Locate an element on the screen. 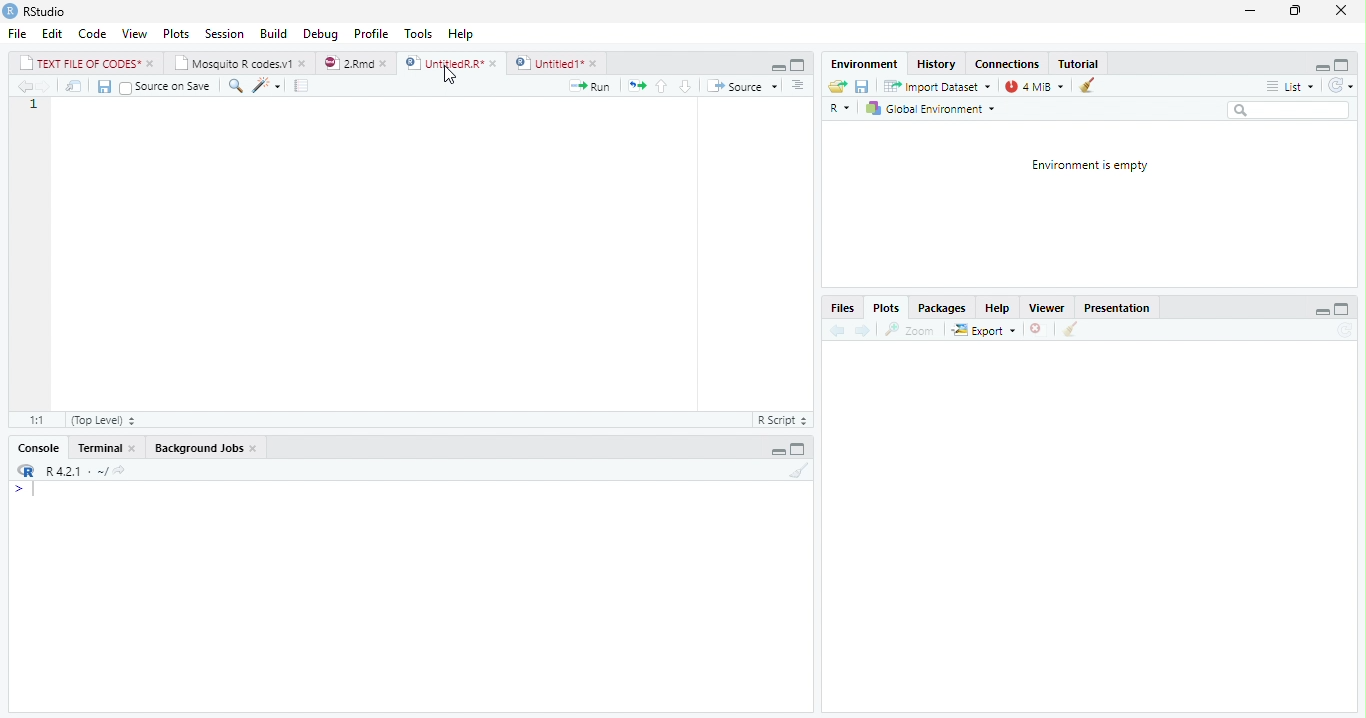 This screenshot has height=718, width=1366. Tutorial is located at coordinates (1080, 63).